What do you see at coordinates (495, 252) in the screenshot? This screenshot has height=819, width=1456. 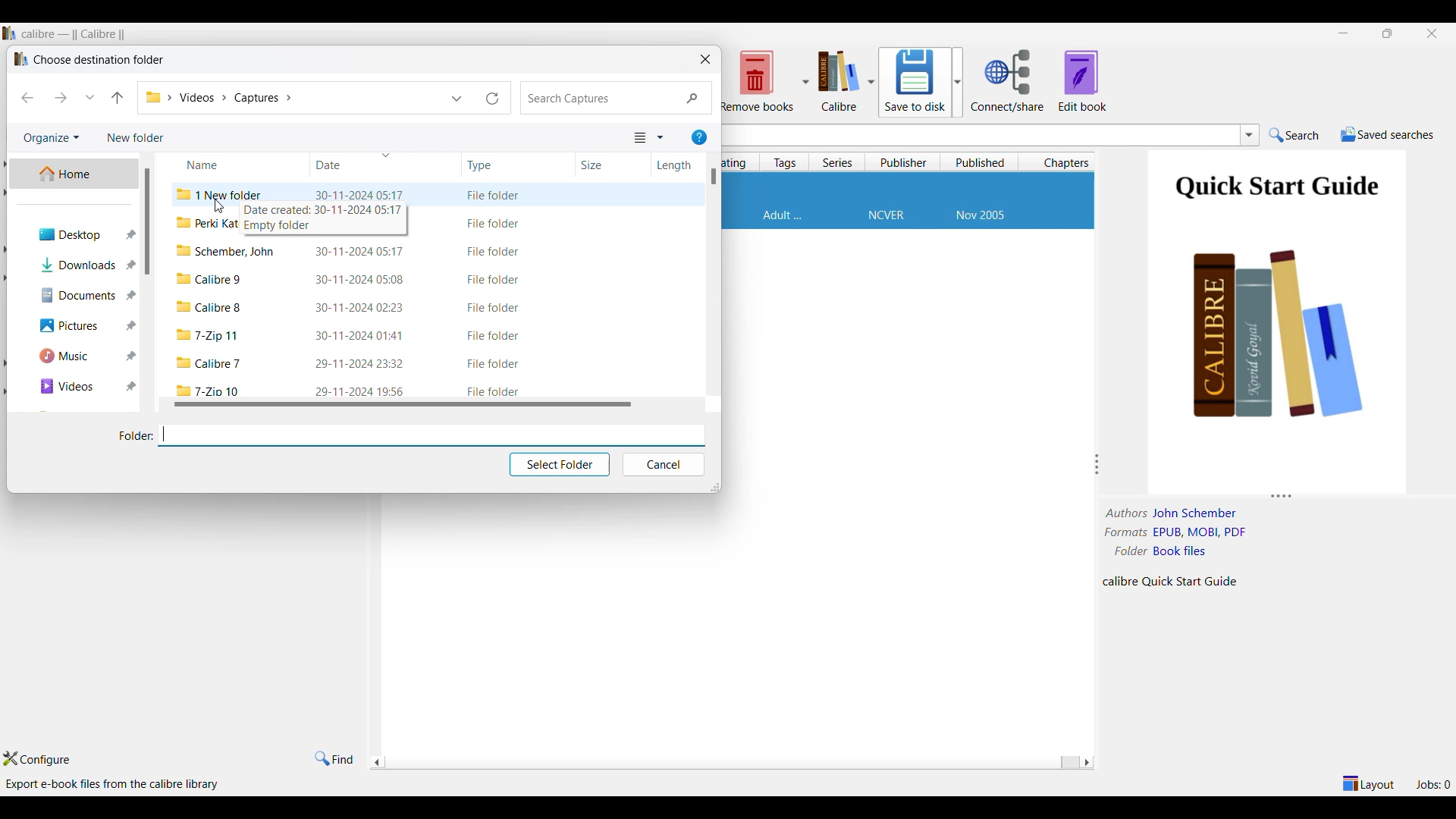 I see `file folder` at bounding box center [495, 252].